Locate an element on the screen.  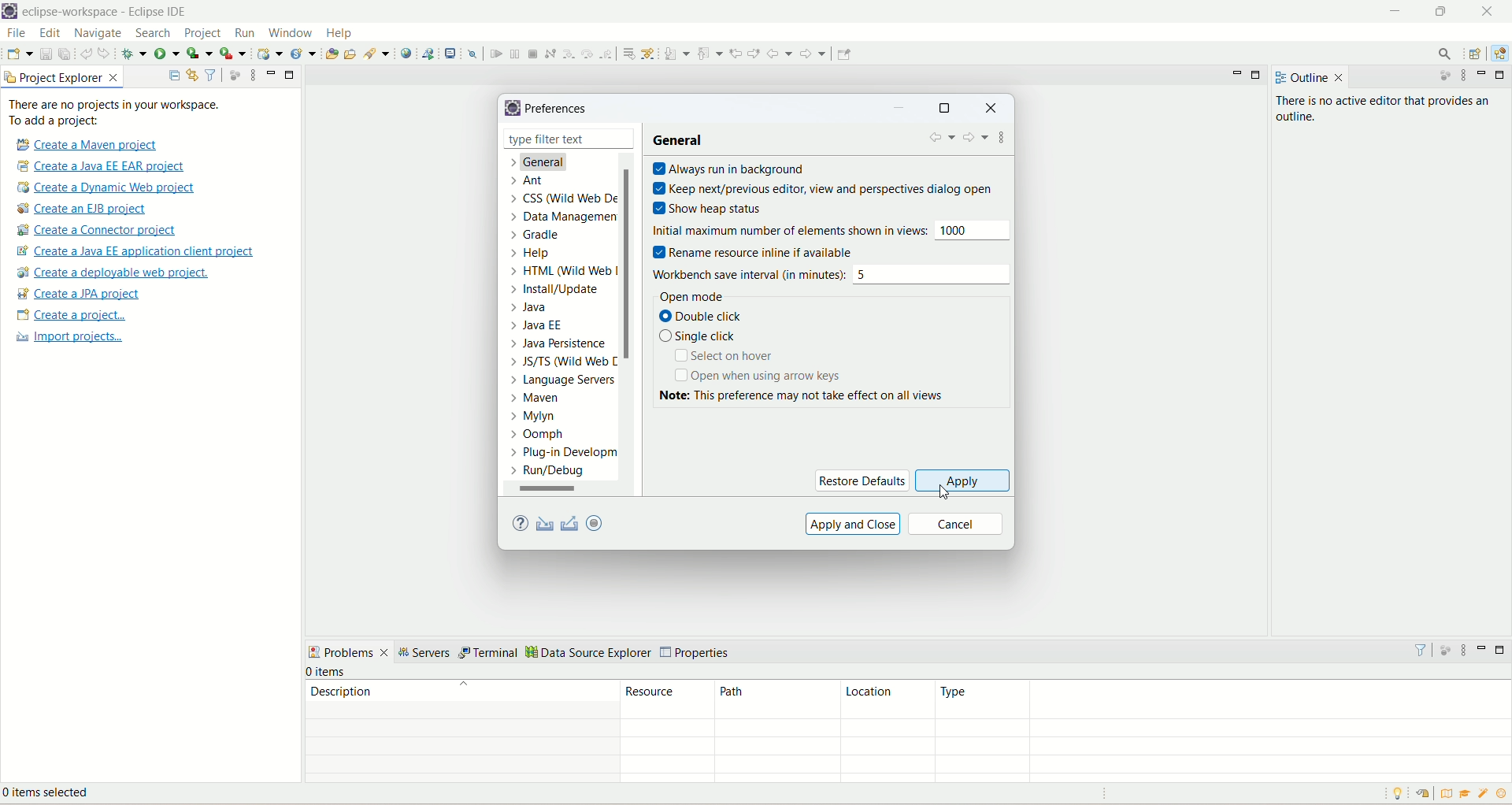
view menu is located at coordinates (249, 76).